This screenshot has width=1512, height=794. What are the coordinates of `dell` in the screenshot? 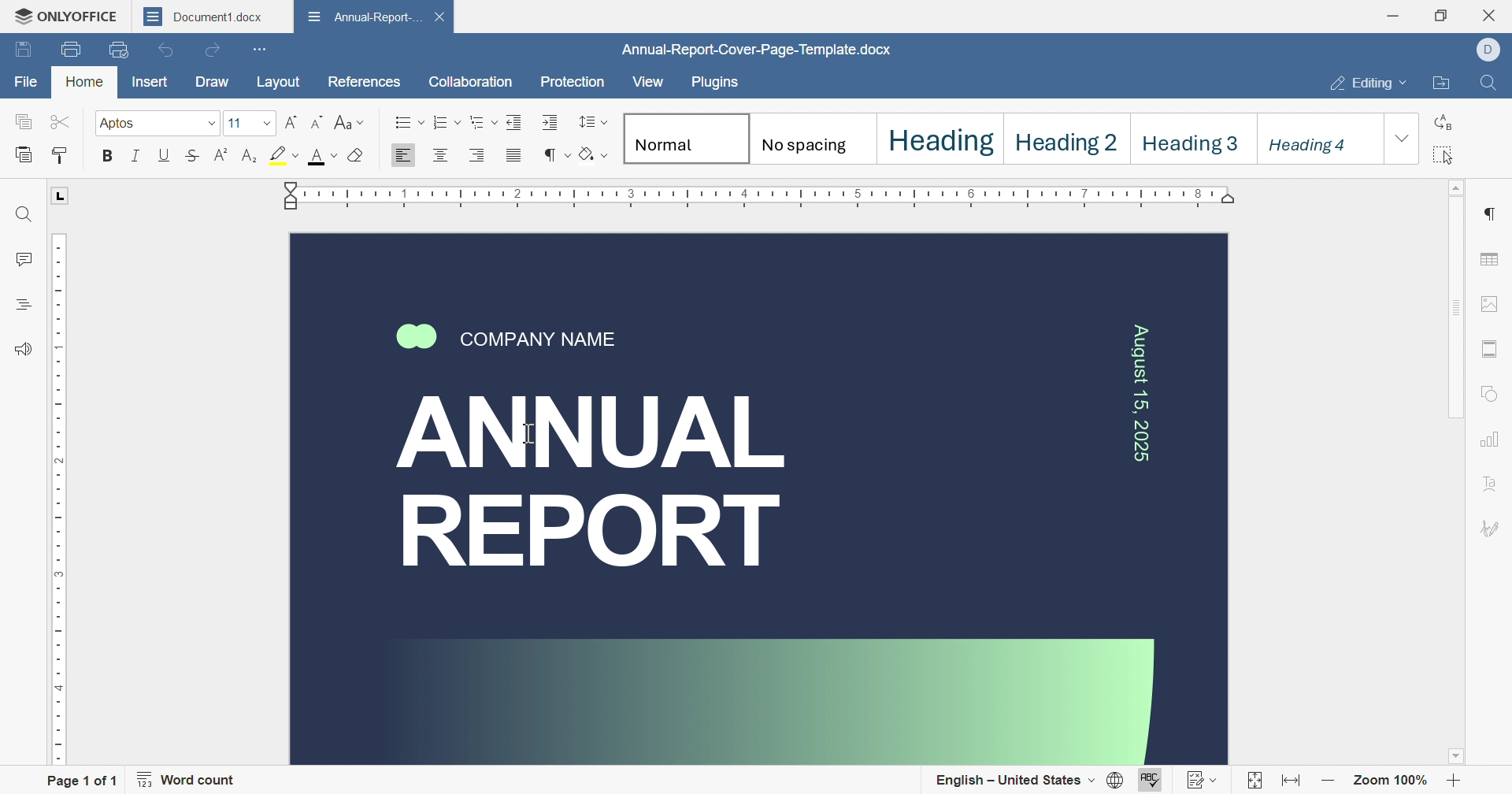 It's located at (1490, 51).